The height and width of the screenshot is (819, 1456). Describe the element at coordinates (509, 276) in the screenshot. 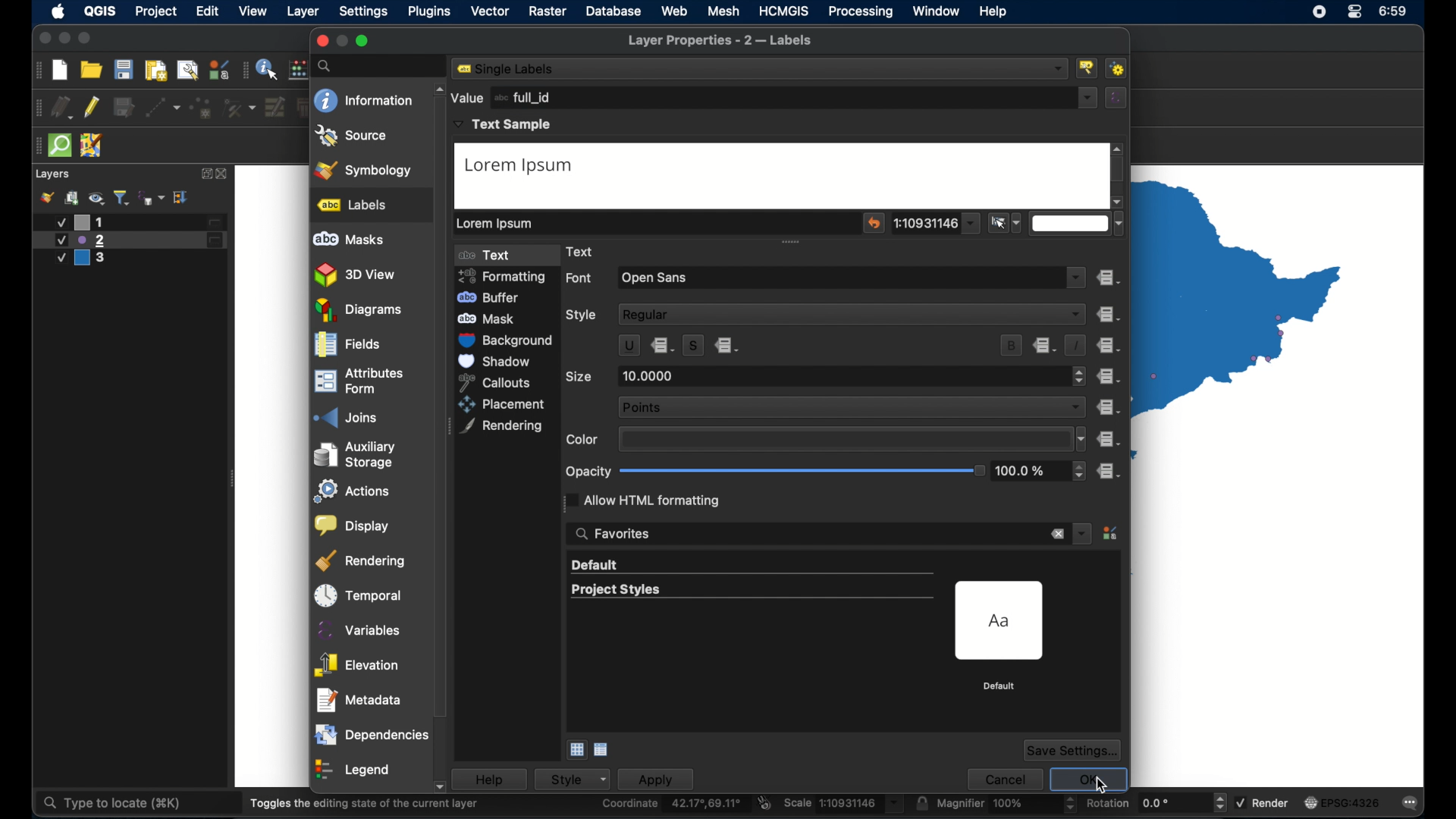

I see `formatting` at that location.